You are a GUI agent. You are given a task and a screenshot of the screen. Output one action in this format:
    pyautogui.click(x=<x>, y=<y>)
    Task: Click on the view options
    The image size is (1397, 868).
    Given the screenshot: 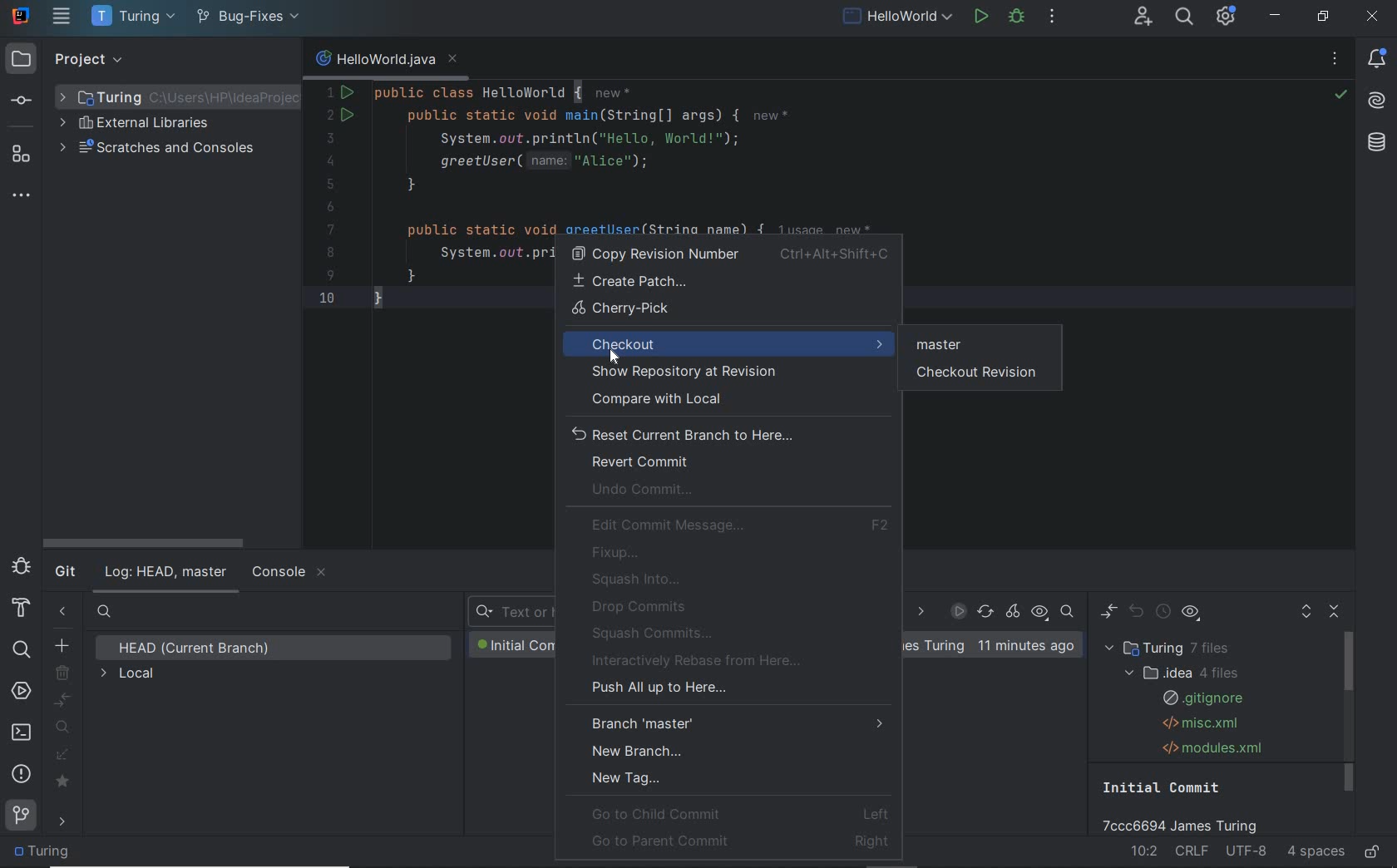 What is the action you would take?
    pyautogui.click(x=1191, y=615)
    